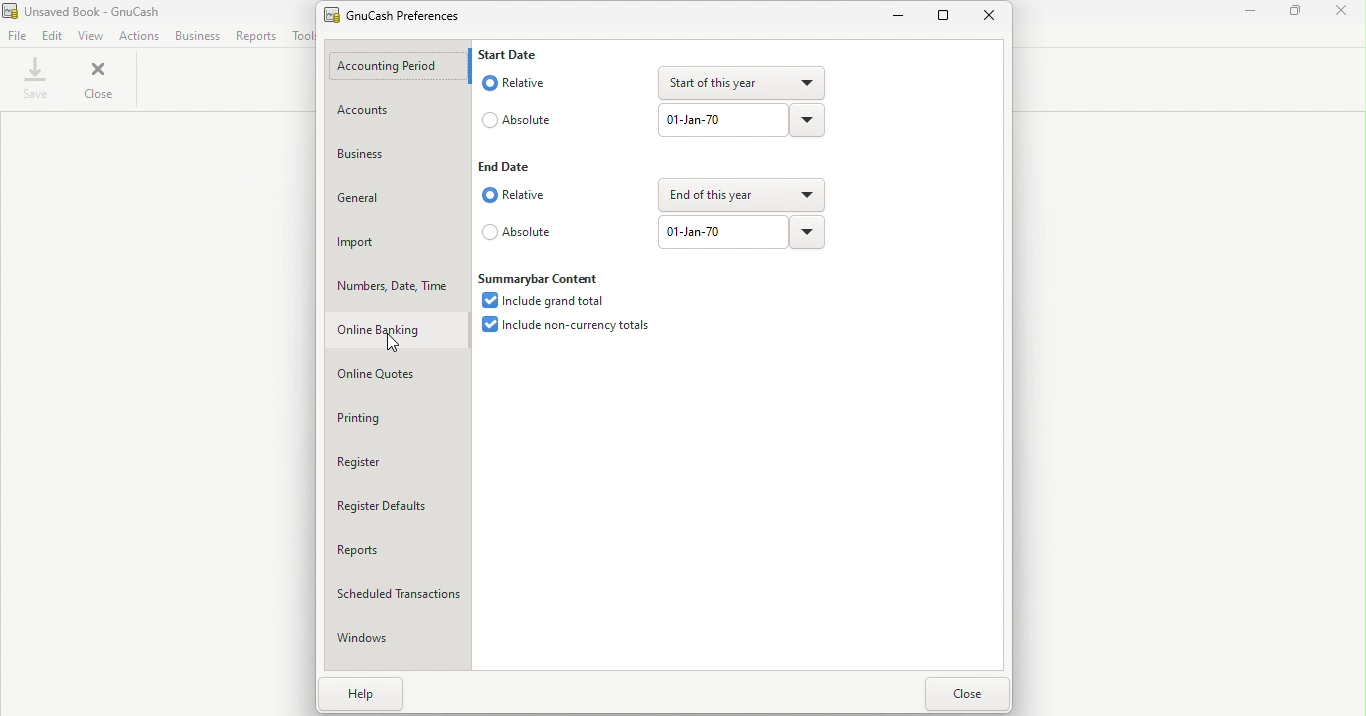 The image size is (1366, 716). I want to click on Include non-currency totals, so click(563, 325).